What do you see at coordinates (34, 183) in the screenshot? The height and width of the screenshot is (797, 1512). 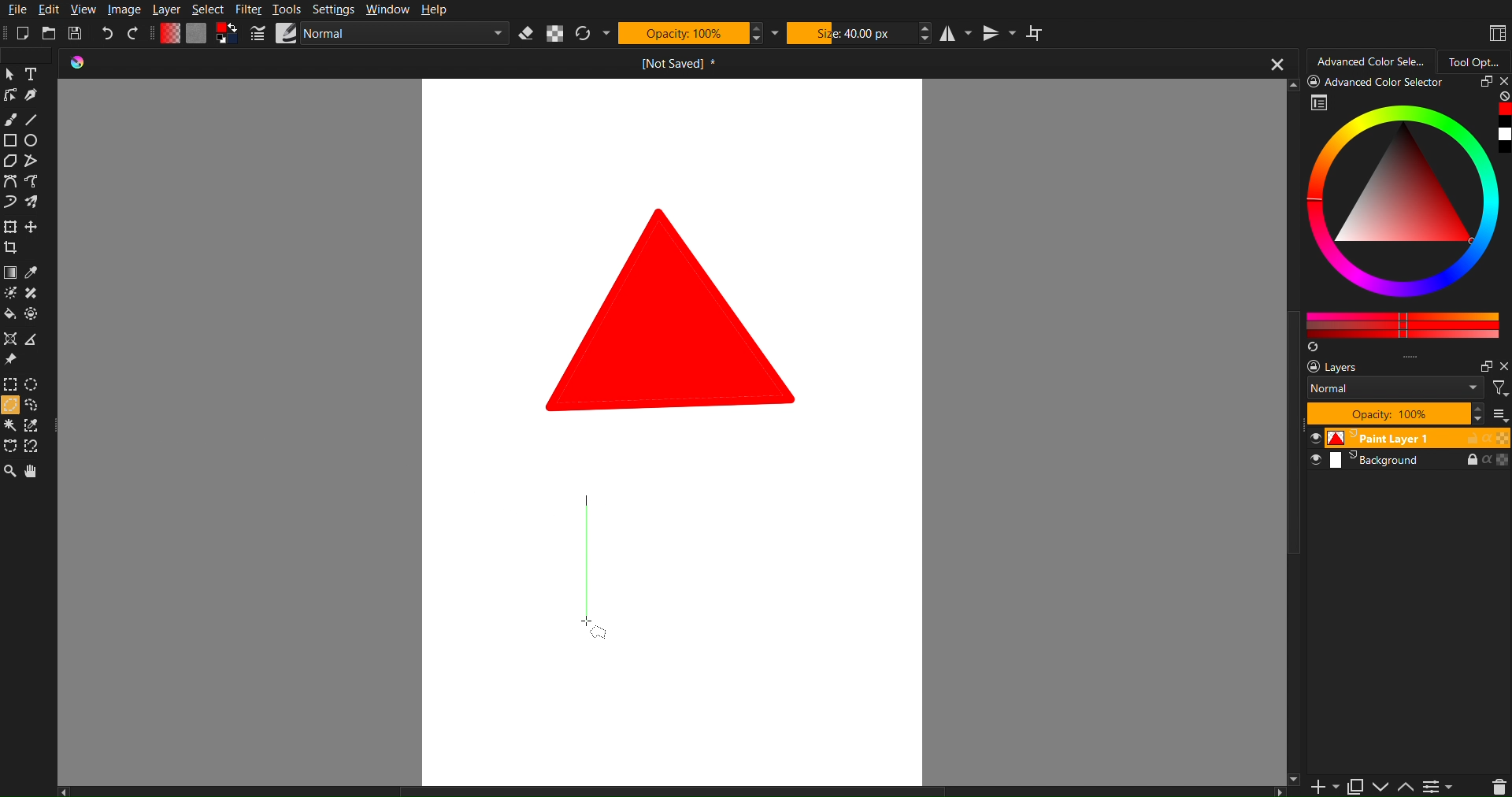 I see `Free shape` at bounding box center [34, 183].